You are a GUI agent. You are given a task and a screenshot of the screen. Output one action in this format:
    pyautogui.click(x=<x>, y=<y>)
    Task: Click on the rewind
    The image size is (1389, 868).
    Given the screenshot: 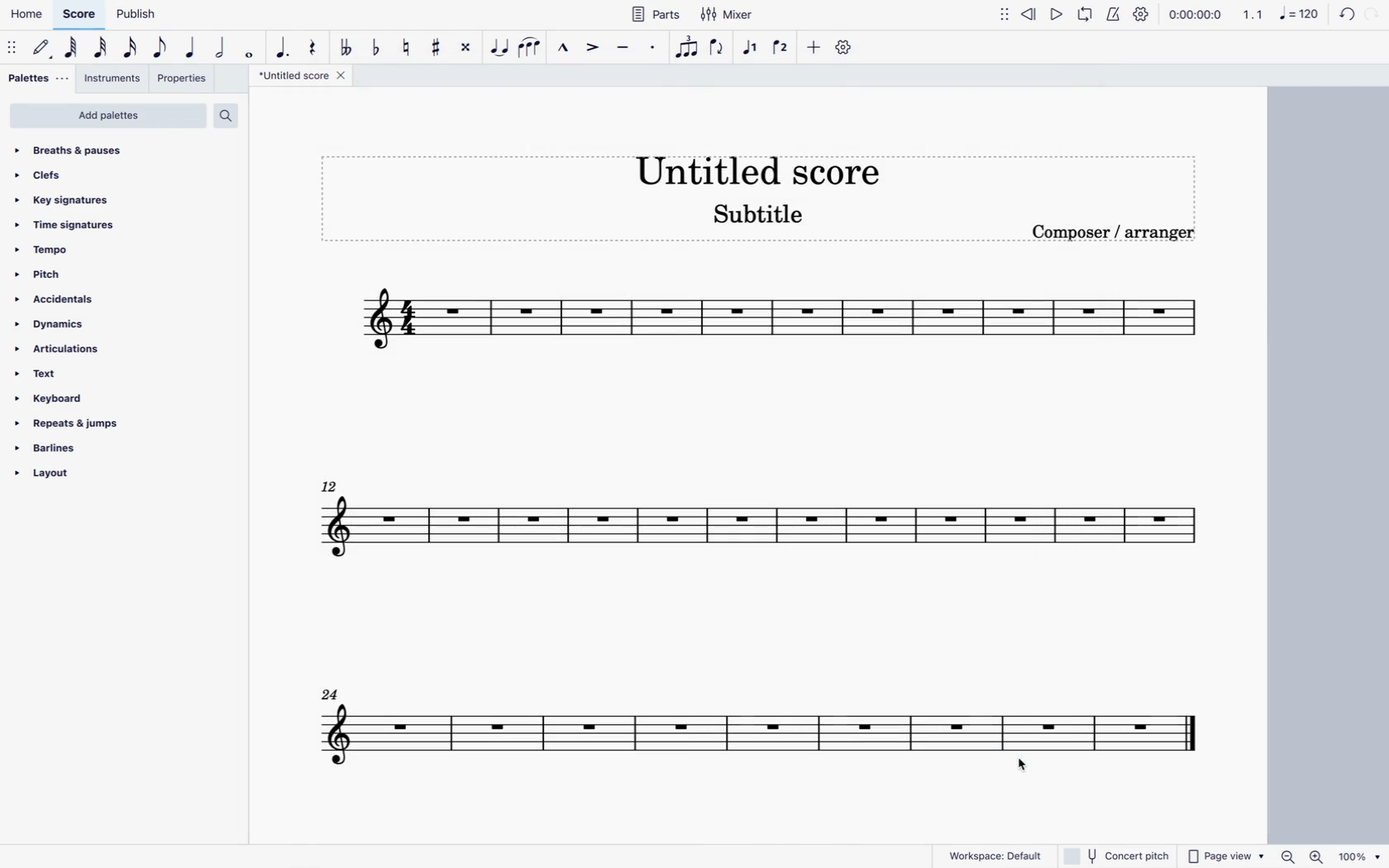 What is the action you would take?
    pyautogui.click(x=1028, y=18)
    